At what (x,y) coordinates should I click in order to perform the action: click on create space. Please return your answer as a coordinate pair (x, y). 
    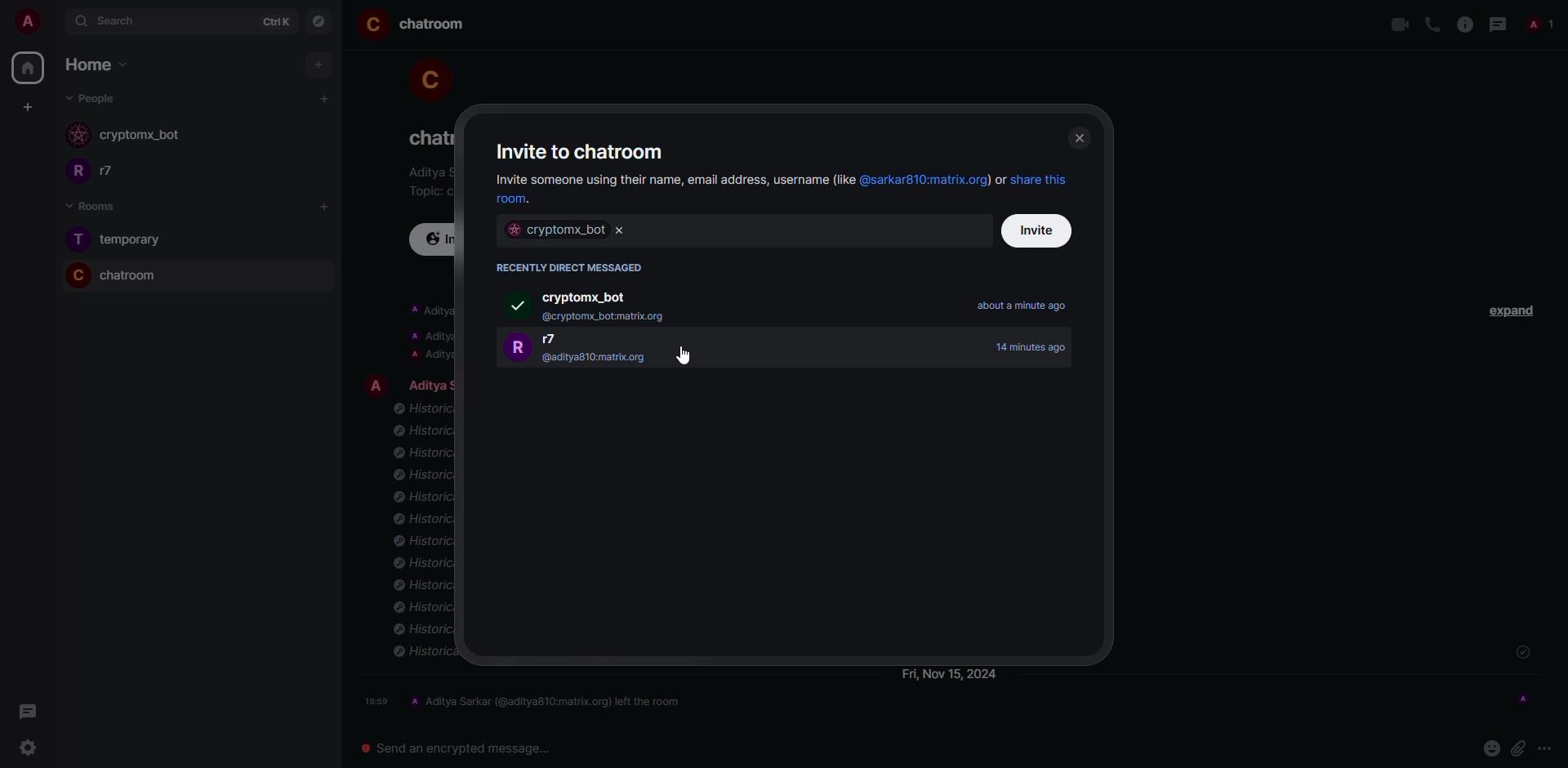
    Looking at the image, I should click on (24, 106).